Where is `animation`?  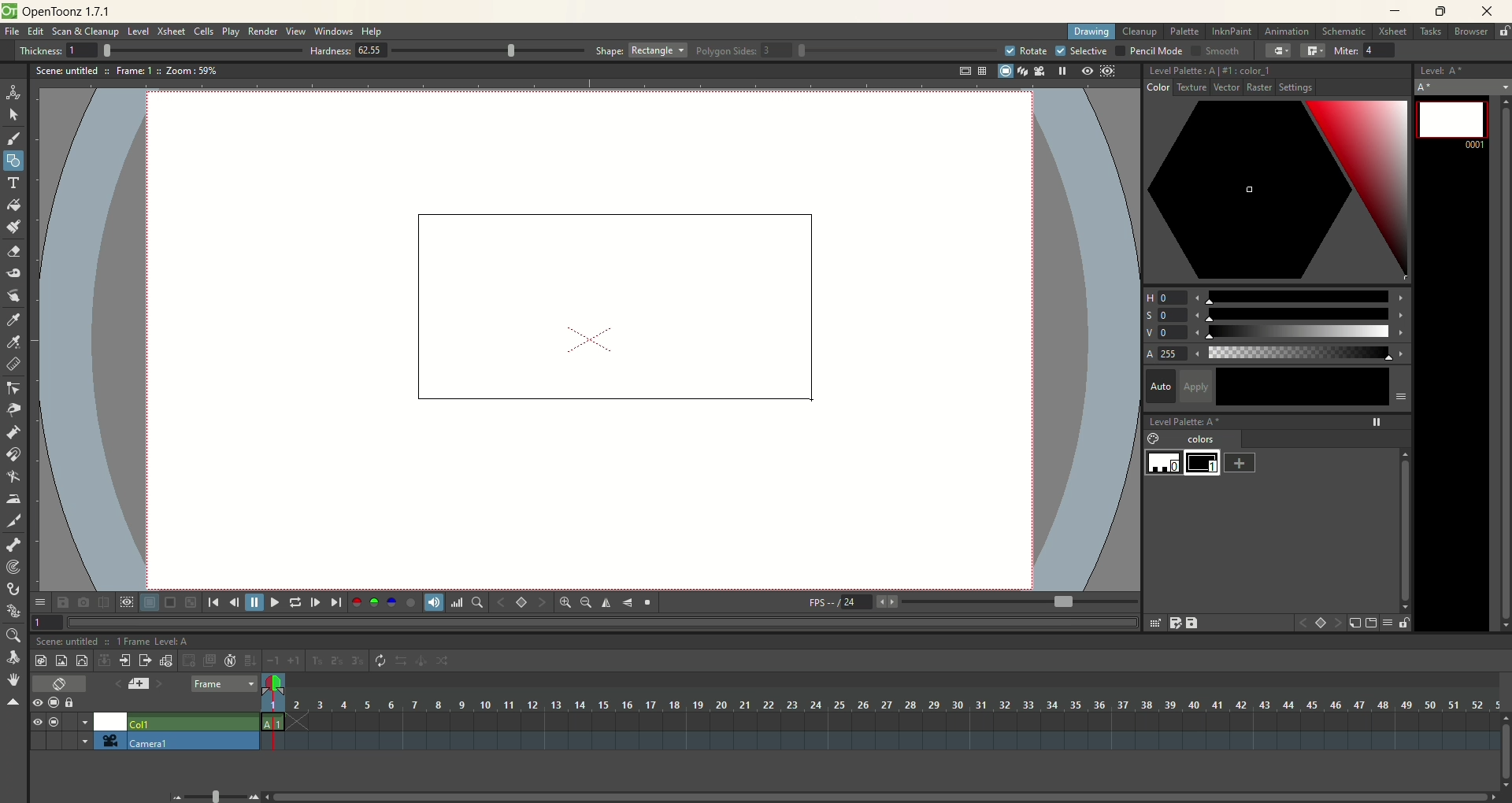 animation is located at coordinates (1290, 32).